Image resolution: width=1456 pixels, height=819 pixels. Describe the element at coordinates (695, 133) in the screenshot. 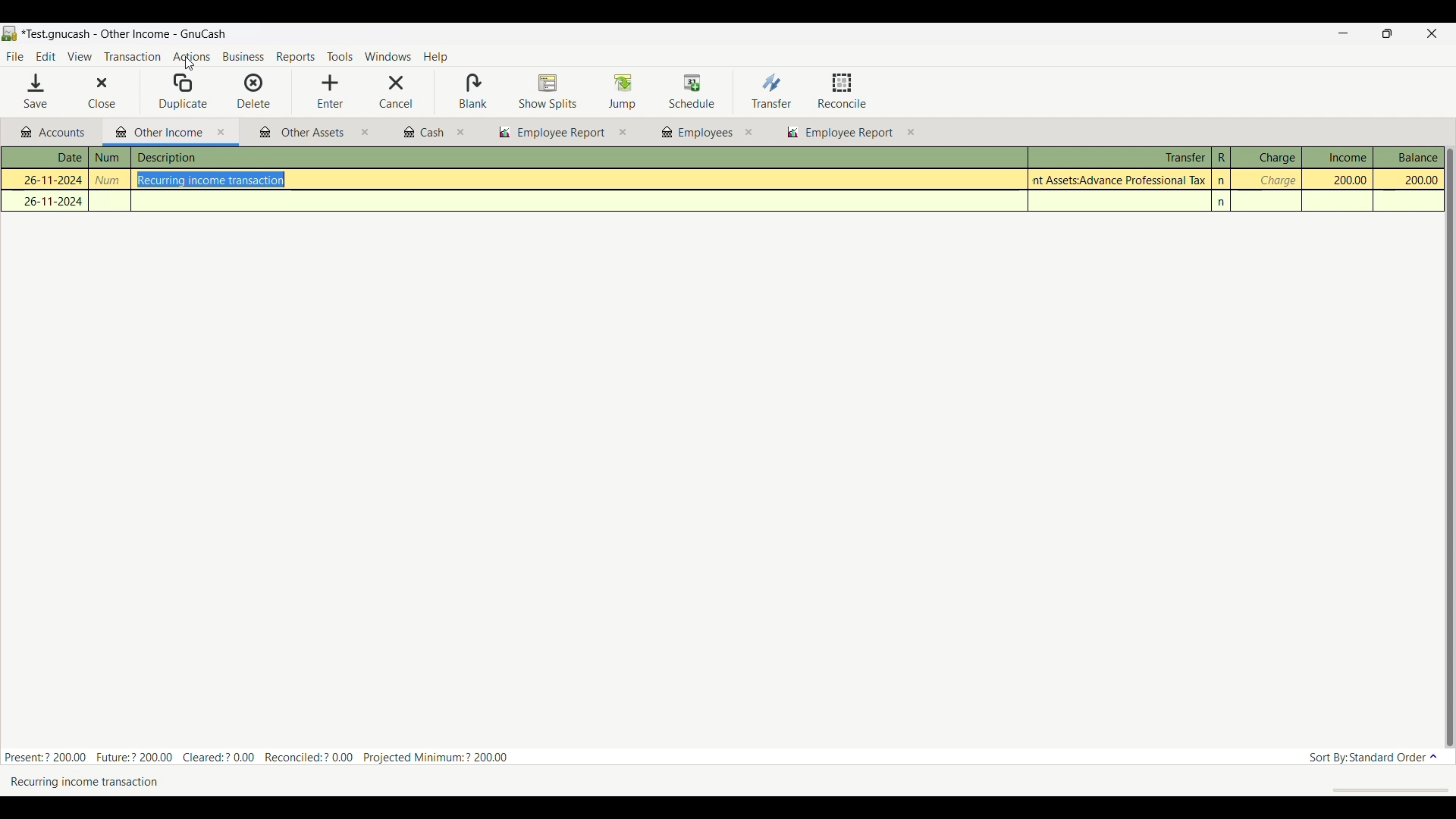

I see `employees` at that location.